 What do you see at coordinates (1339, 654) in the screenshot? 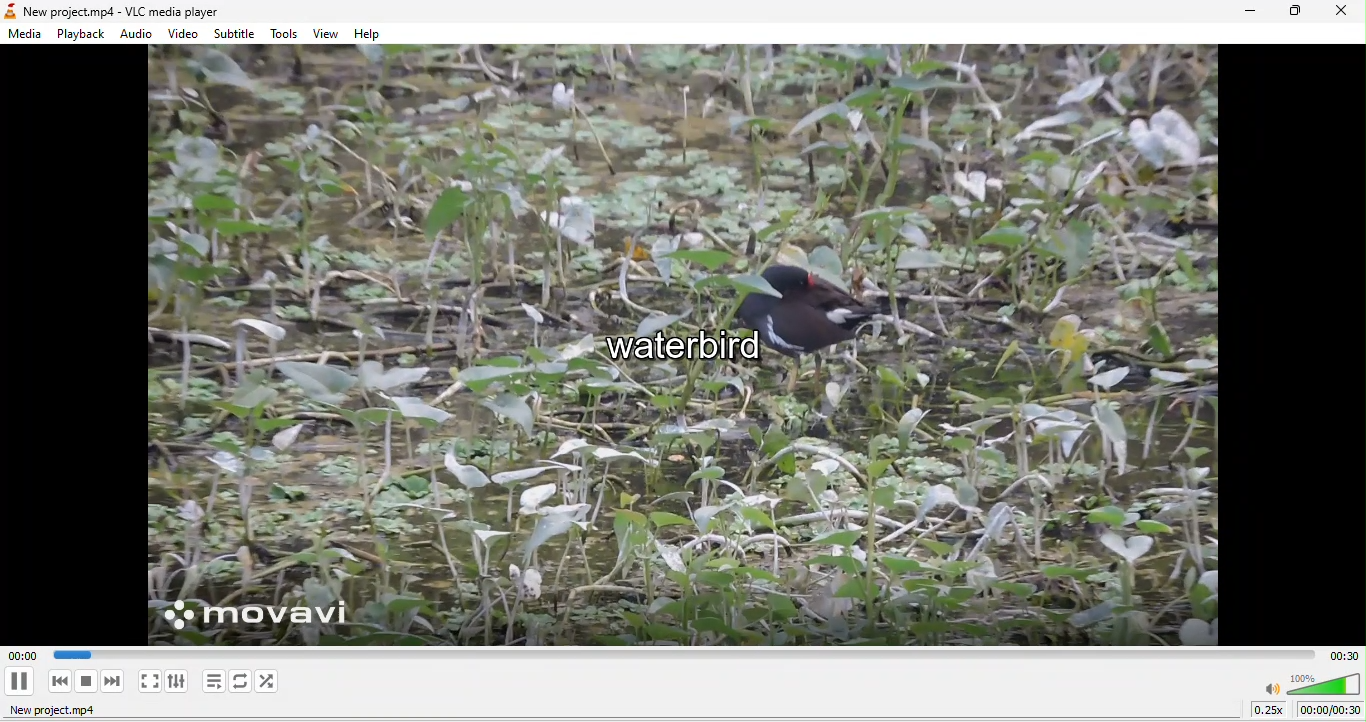
I see `total time` at bounding box center [1339, 654].